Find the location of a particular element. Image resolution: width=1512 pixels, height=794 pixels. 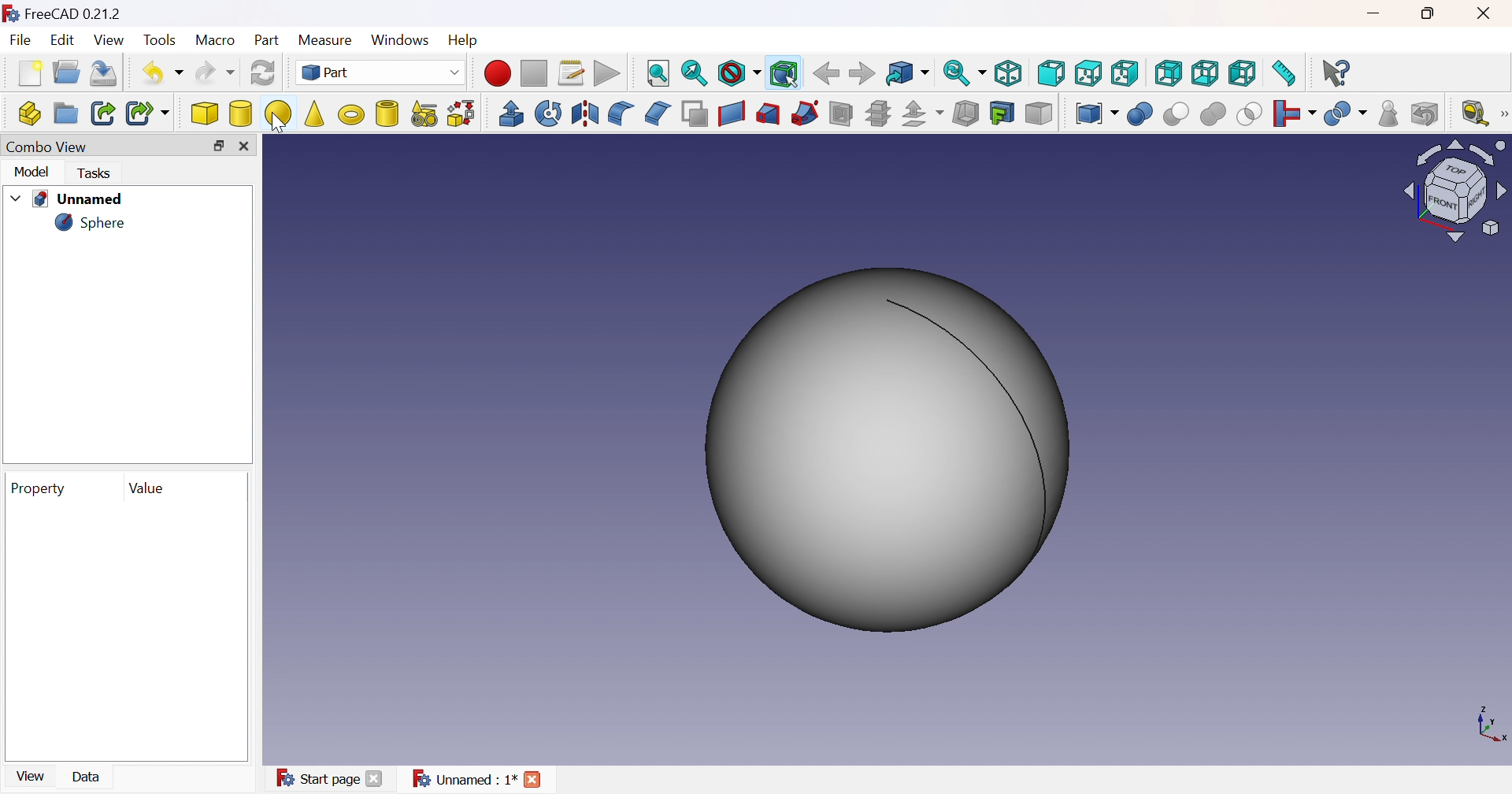

Undo is located at coordinates (164, 74).